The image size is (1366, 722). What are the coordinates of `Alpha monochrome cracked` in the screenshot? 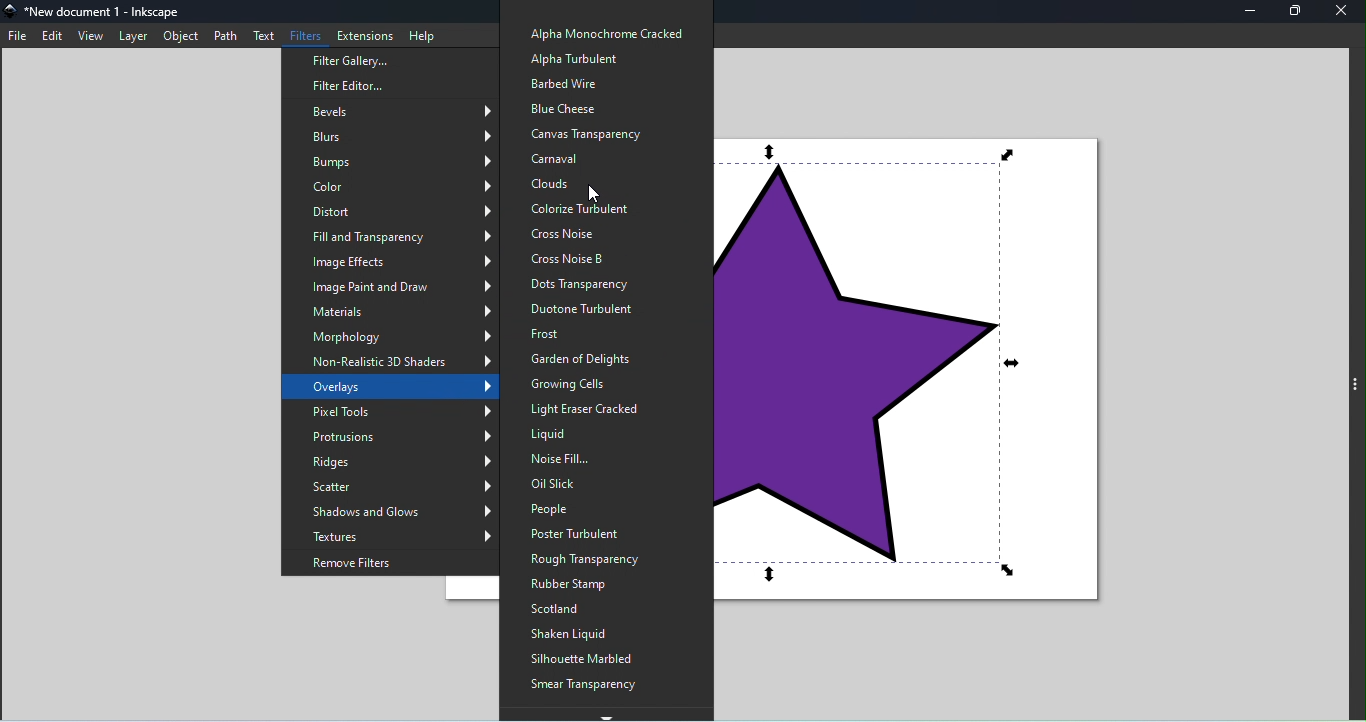 It's located at (603, 32).